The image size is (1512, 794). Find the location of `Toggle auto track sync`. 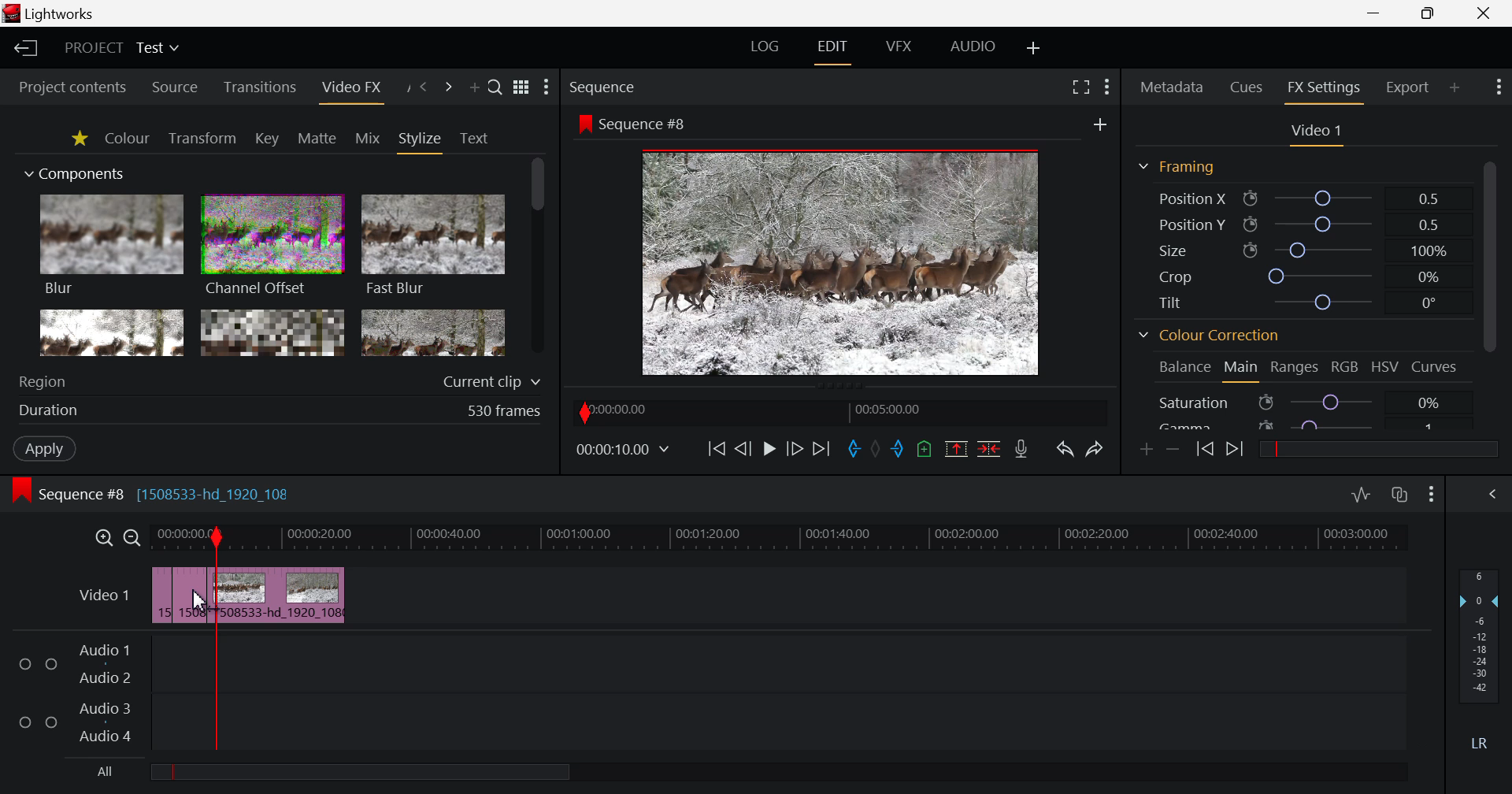

Toggle auto track sync is located at coordinates (1400, 495).